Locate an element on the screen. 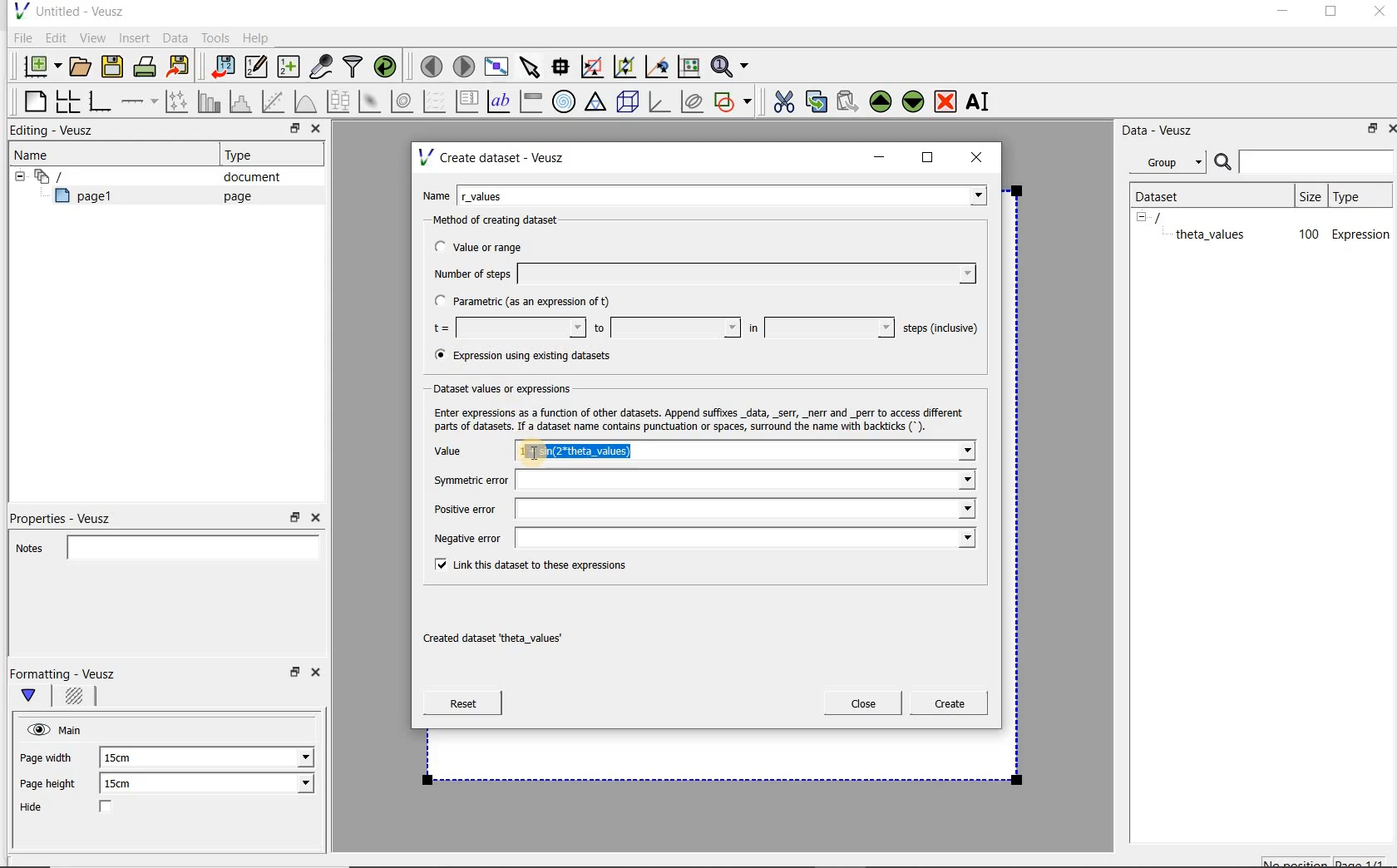  Create is located at coordinates (944, 706).